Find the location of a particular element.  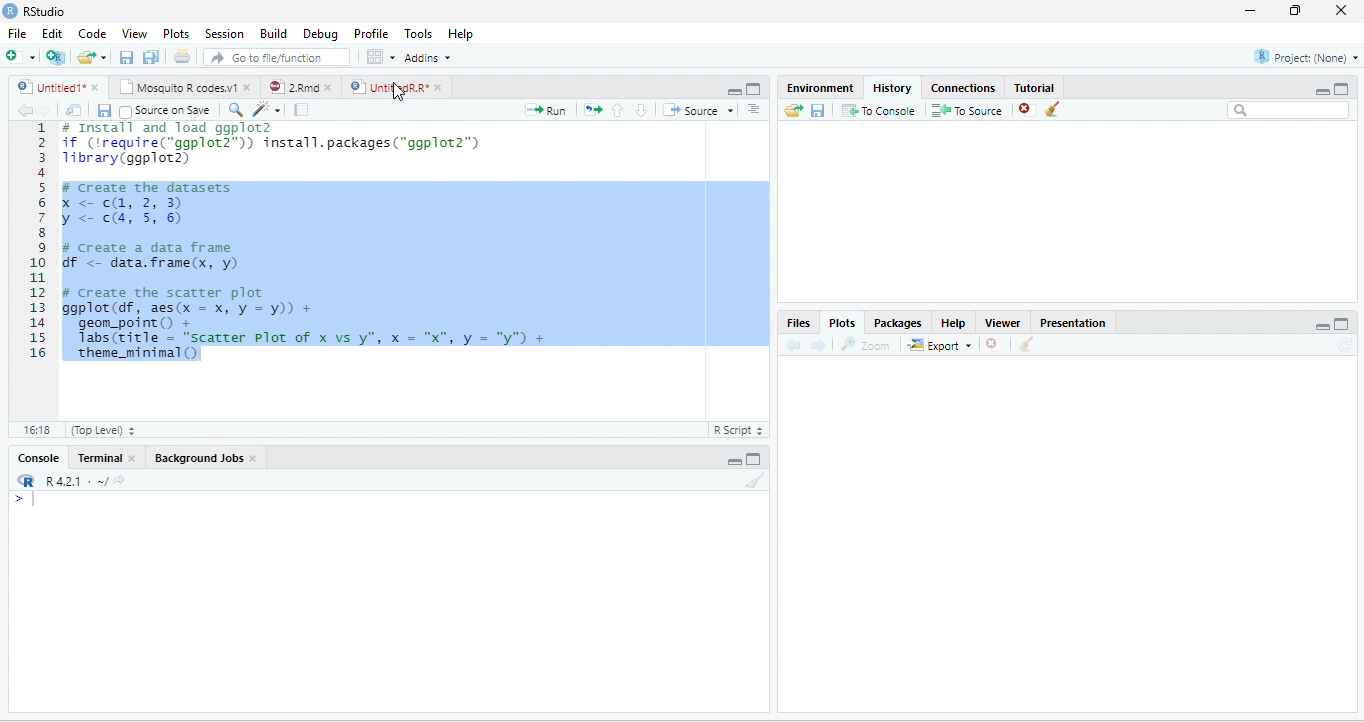

History is located at coordinates (891, 88).